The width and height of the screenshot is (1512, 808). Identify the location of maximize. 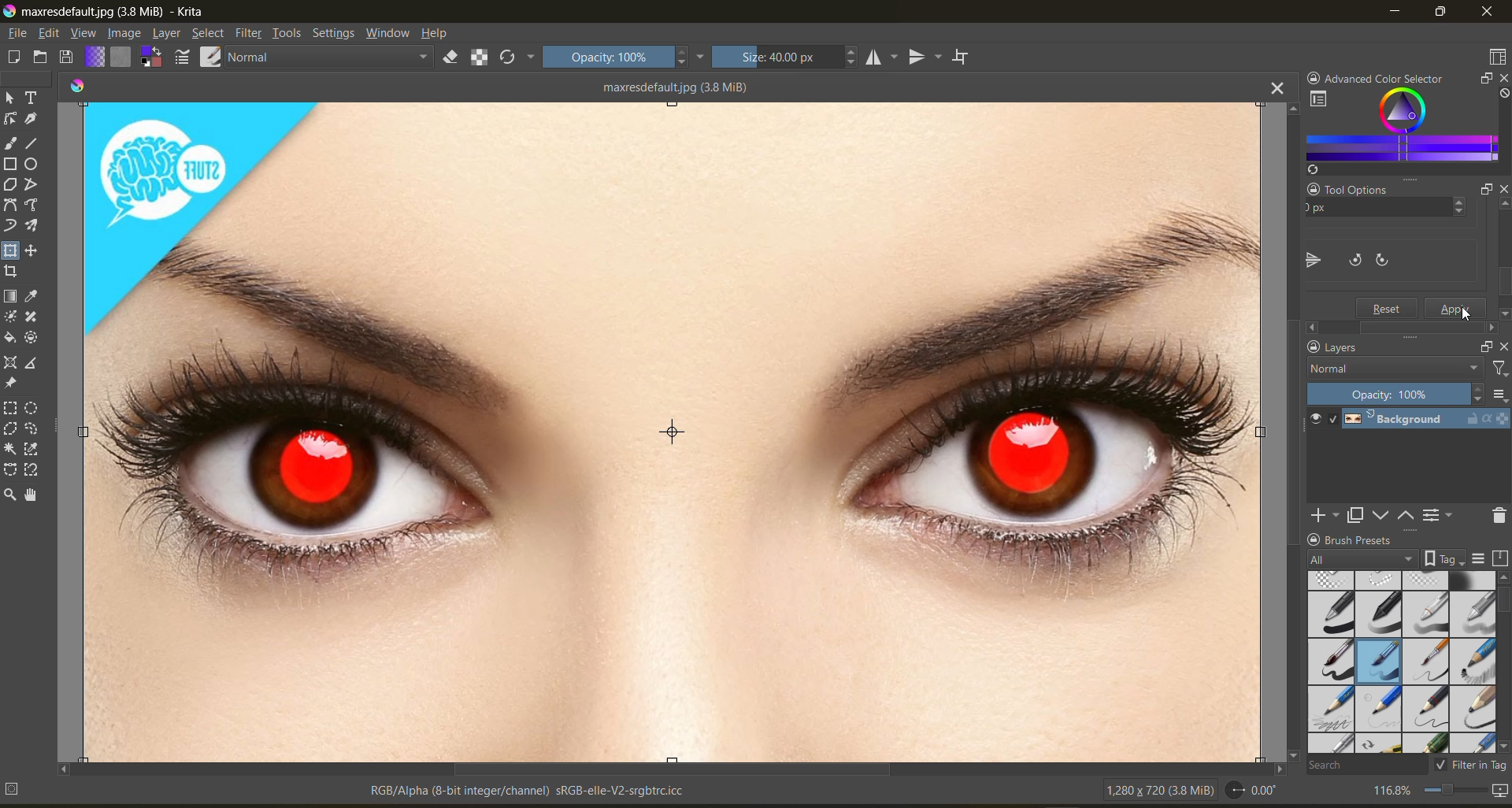
(1443, 13).